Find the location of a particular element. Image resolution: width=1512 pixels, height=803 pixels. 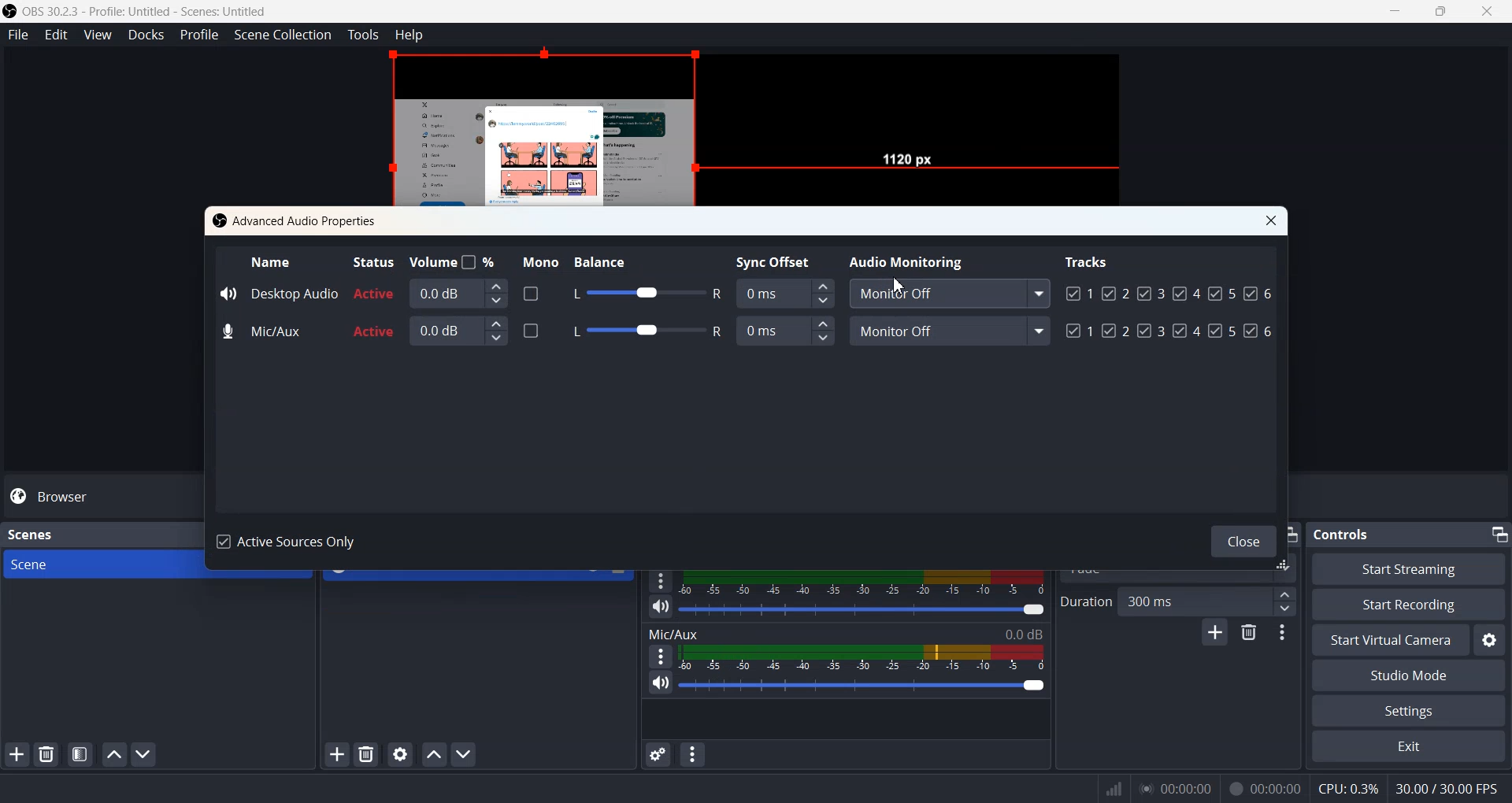

Settings is located at coordinates (1490, 640).